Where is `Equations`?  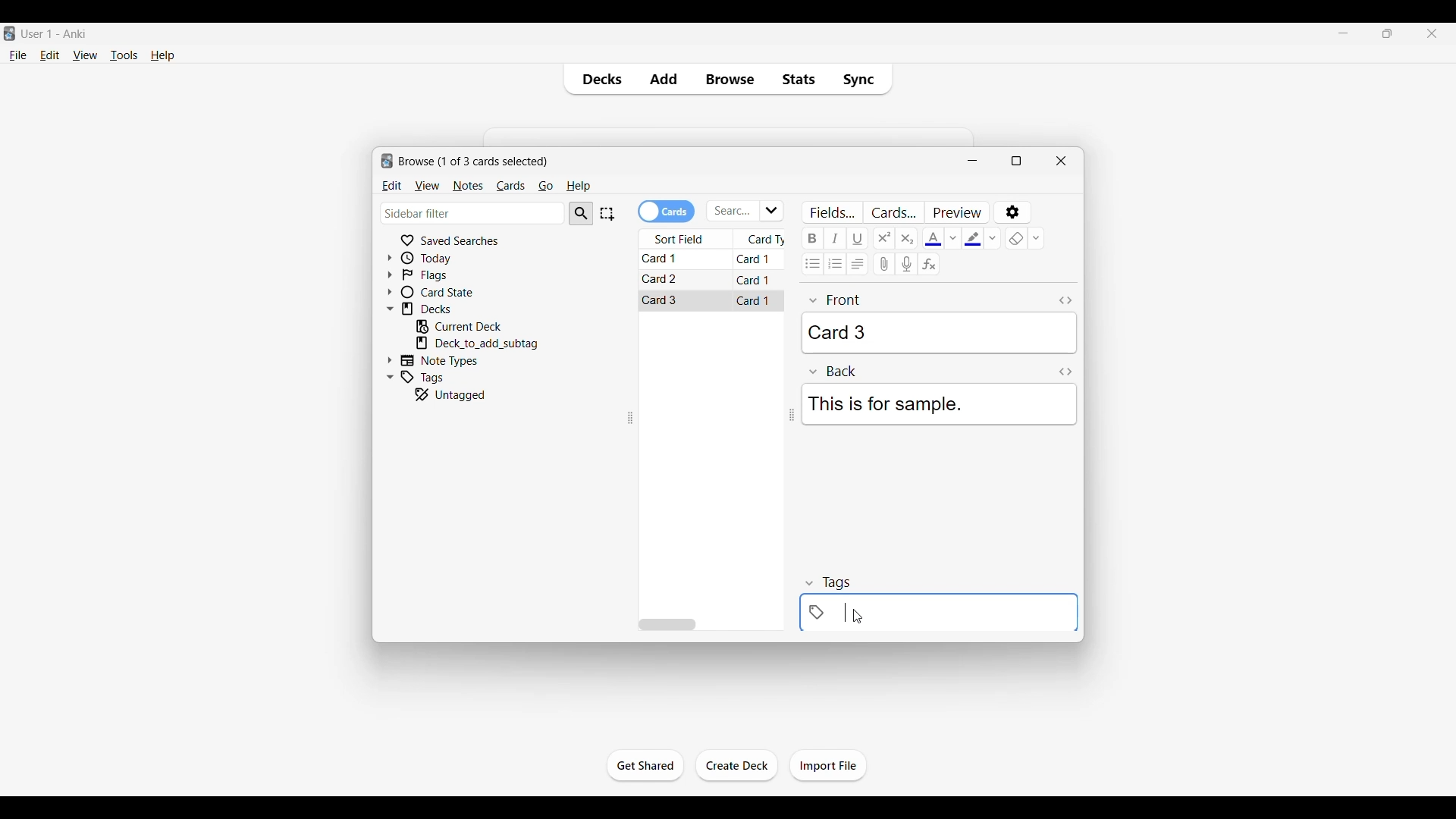 Equations is located at coordinates (929, 263).